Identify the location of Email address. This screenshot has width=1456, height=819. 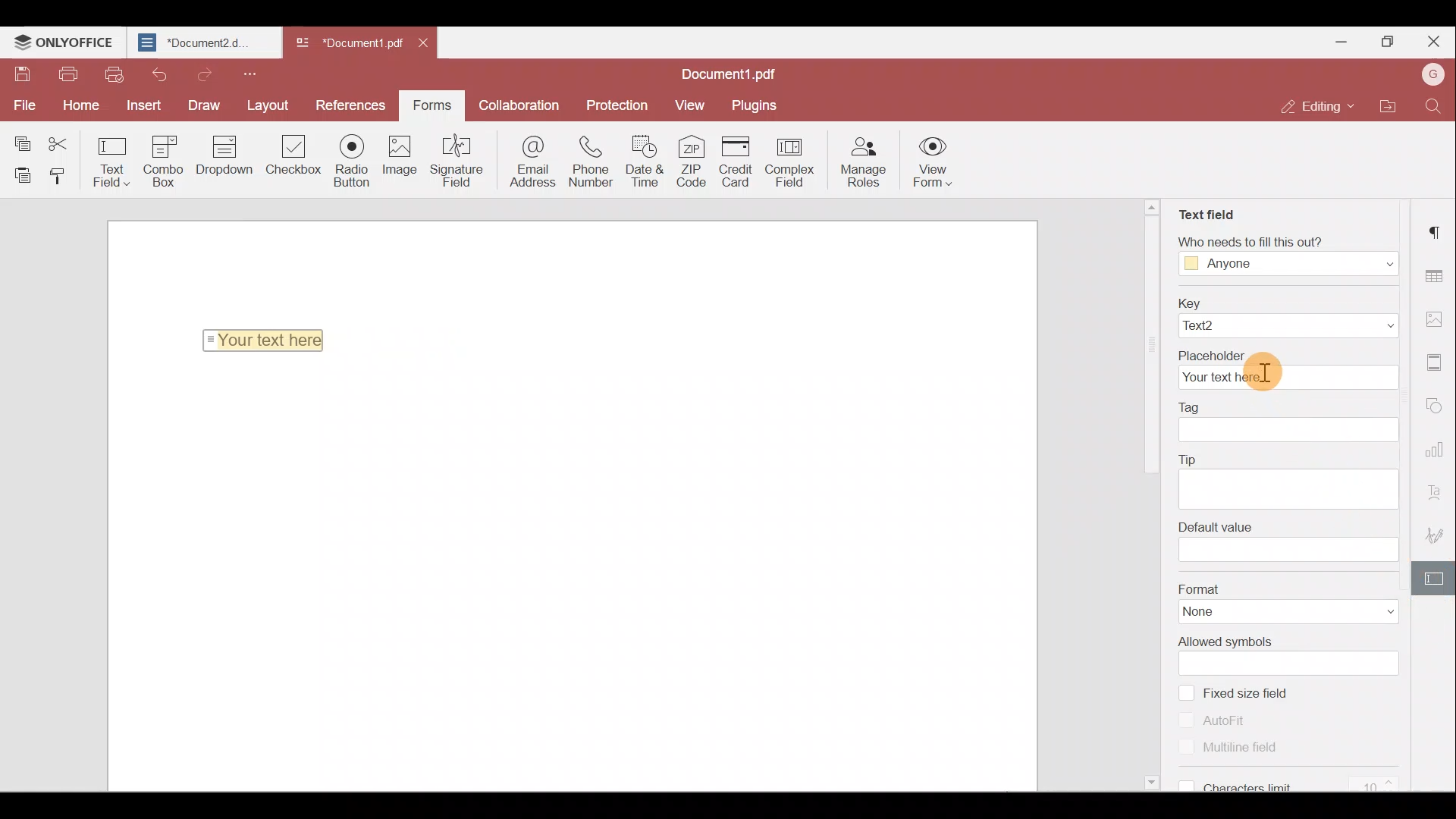
(526, 162).